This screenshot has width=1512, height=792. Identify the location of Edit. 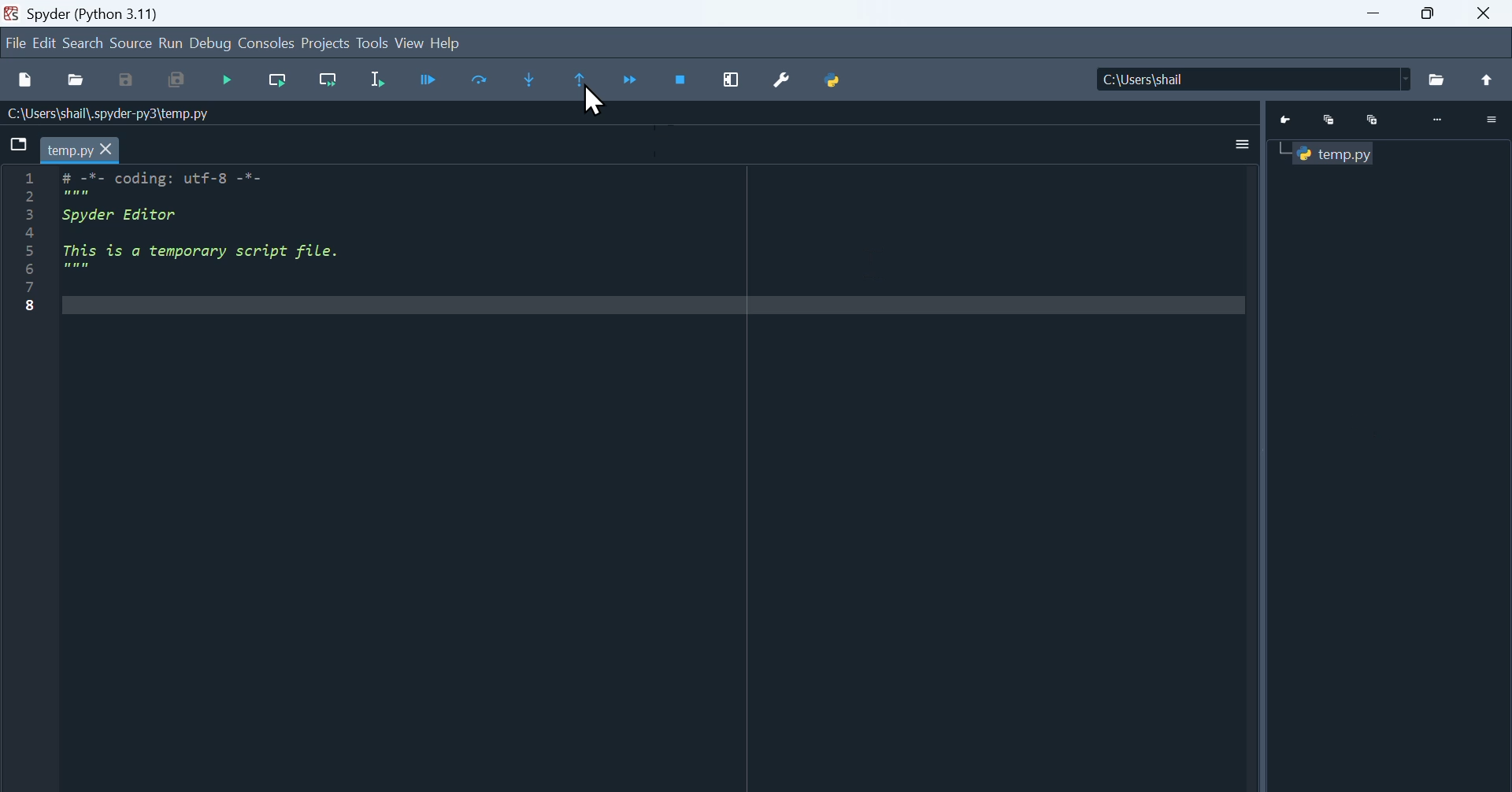
(46, 41).